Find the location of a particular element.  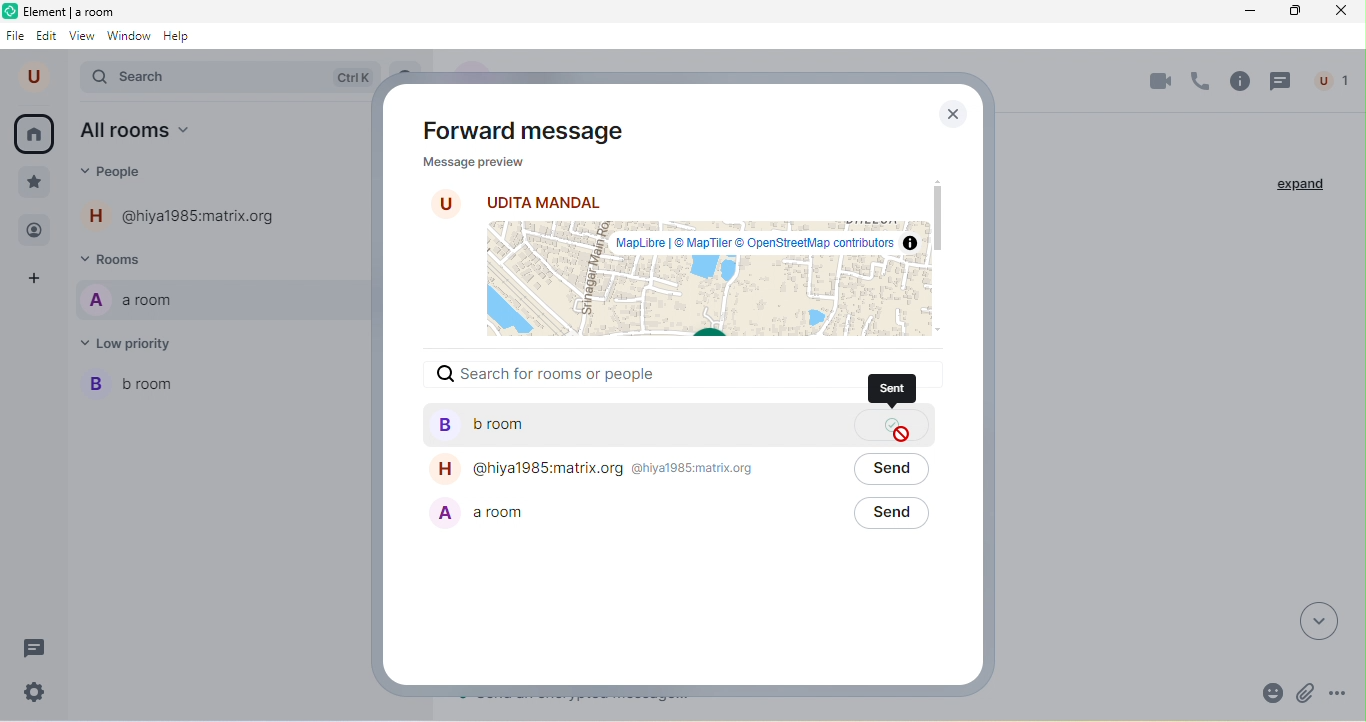

send is located at coordinates (895, 522).